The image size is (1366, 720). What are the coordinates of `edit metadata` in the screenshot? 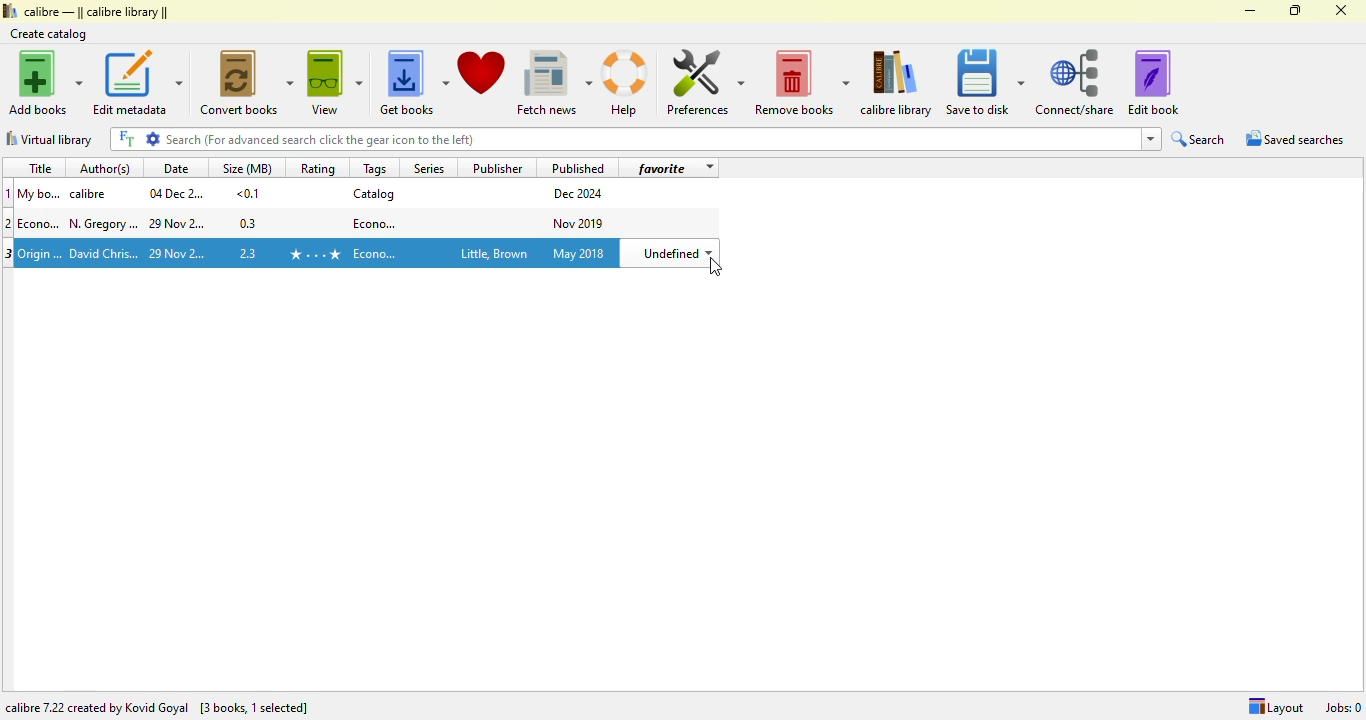 It's located at (137, 82).